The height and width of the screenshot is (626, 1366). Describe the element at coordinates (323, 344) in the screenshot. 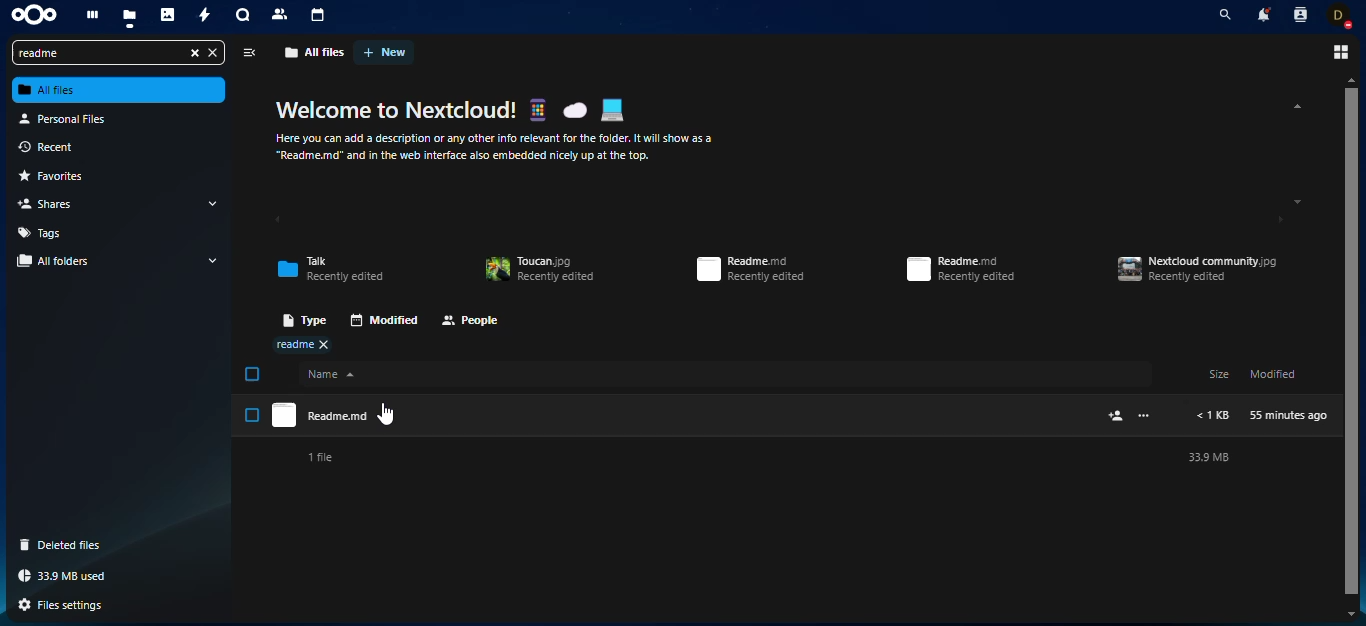

I see `Close` at that location.